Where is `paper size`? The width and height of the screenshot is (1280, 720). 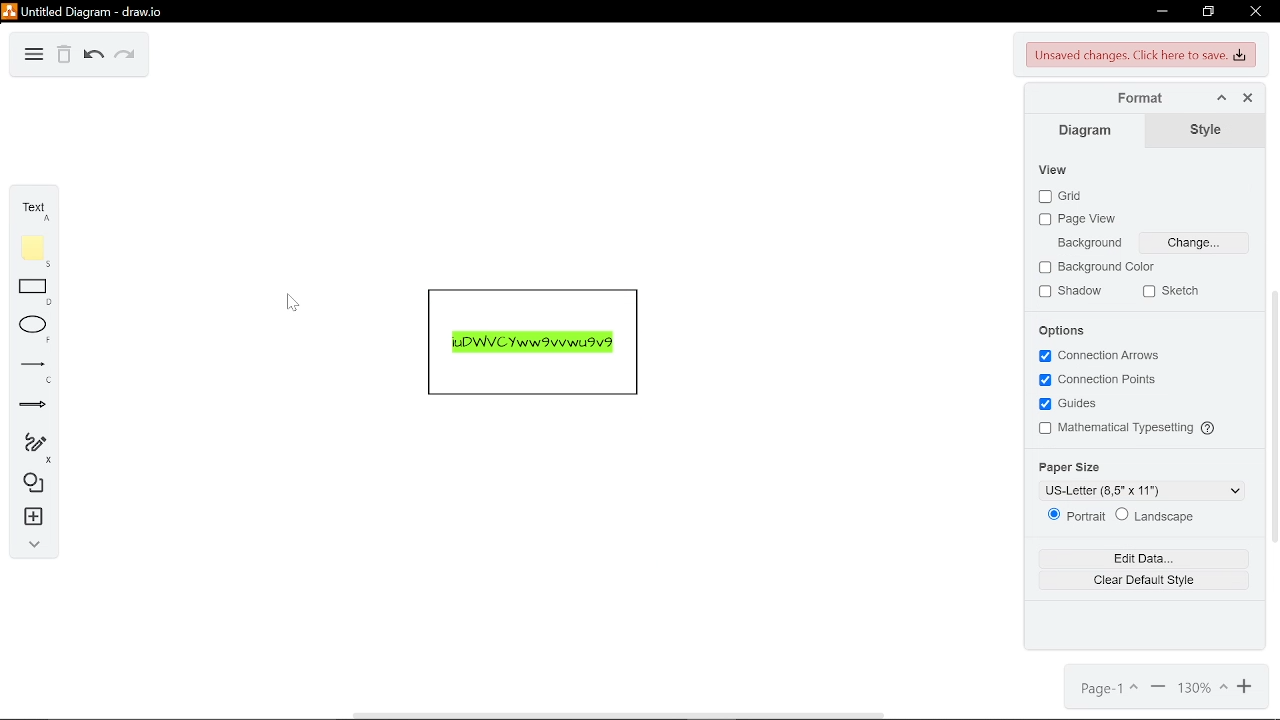 paper size is located at coordinates (1069, 467).